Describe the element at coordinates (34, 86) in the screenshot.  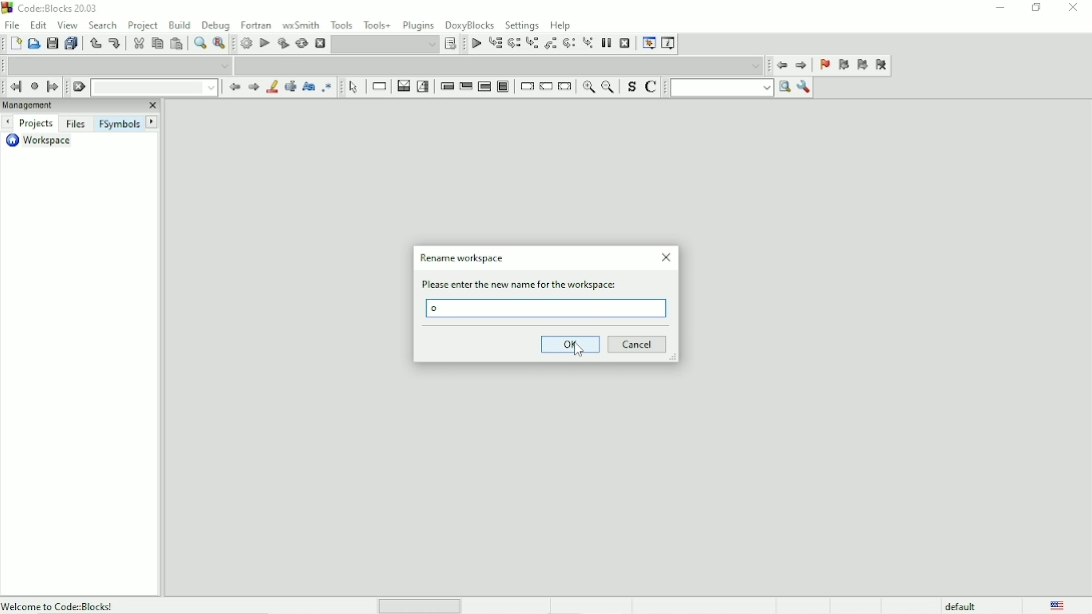
I see `Last jump` at that location.